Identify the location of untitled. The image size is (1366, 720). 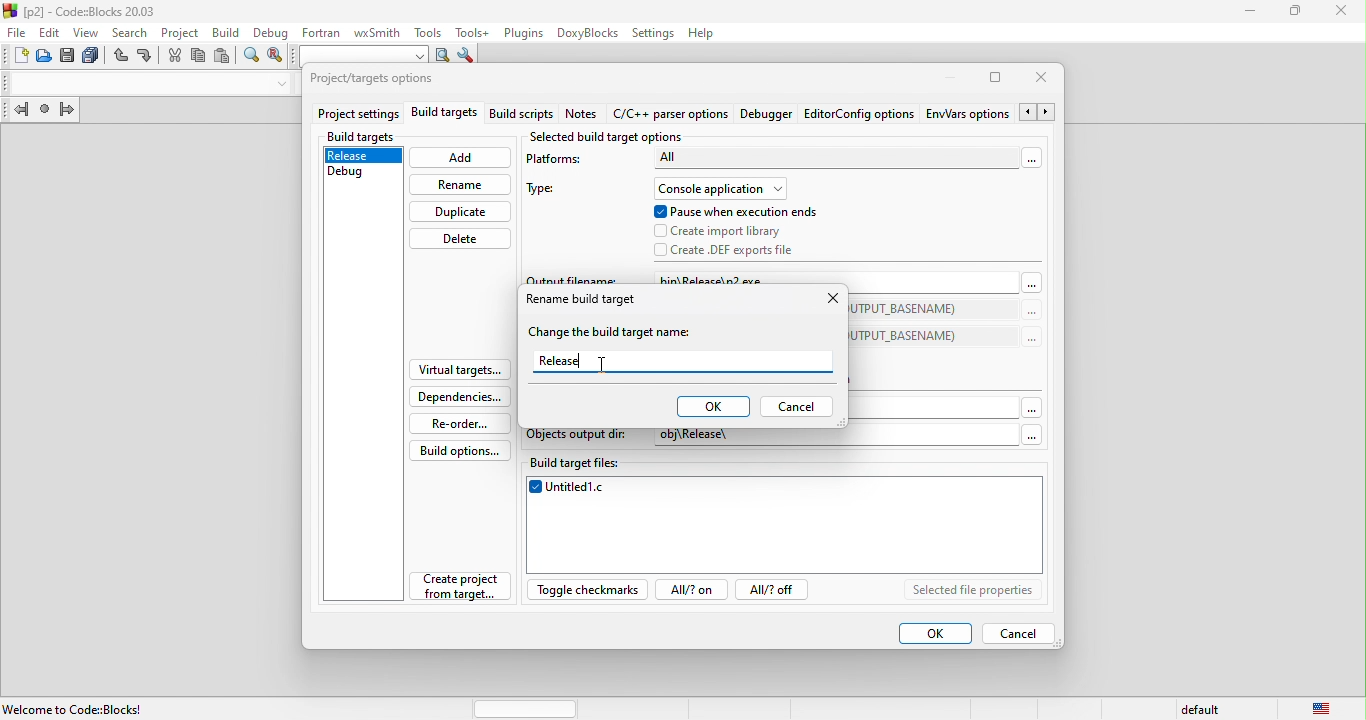
(785, 528).